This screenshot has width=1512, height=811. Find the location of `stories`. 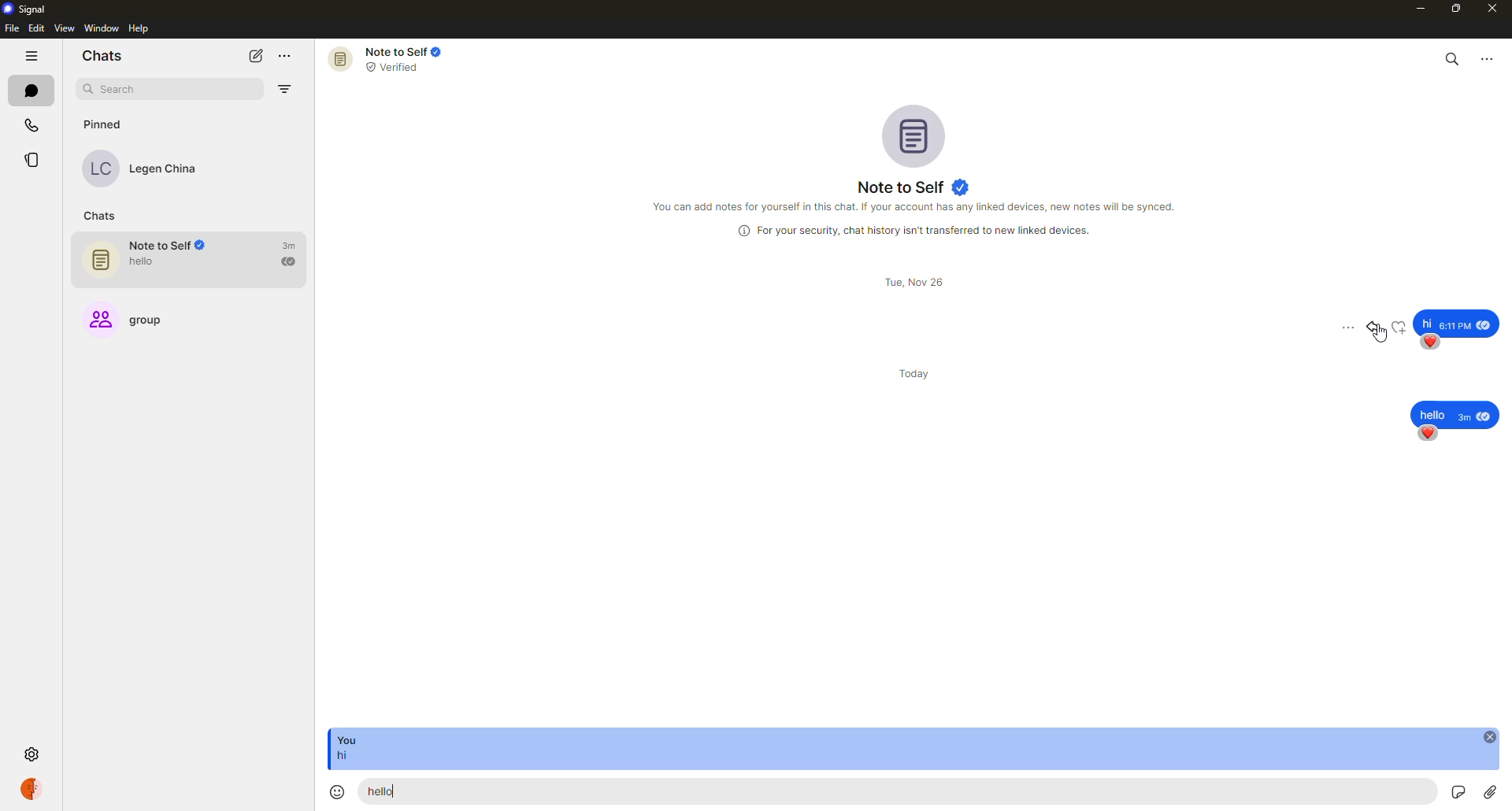

stories is located at coordinates (34, 158).